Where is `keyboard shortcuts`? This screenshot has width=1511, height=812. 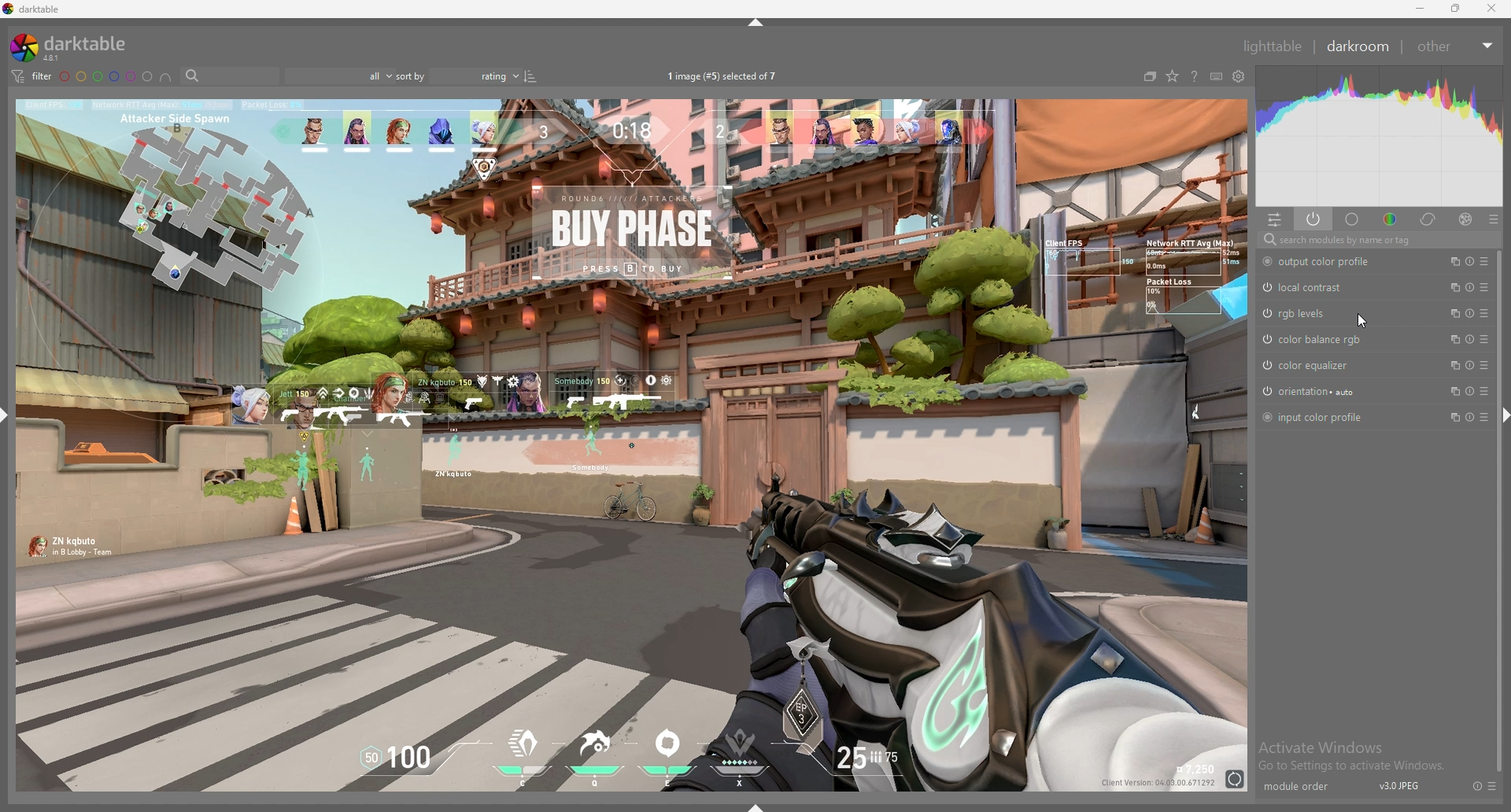 keyboard shortcuts is located at coordinates (1217, 78).